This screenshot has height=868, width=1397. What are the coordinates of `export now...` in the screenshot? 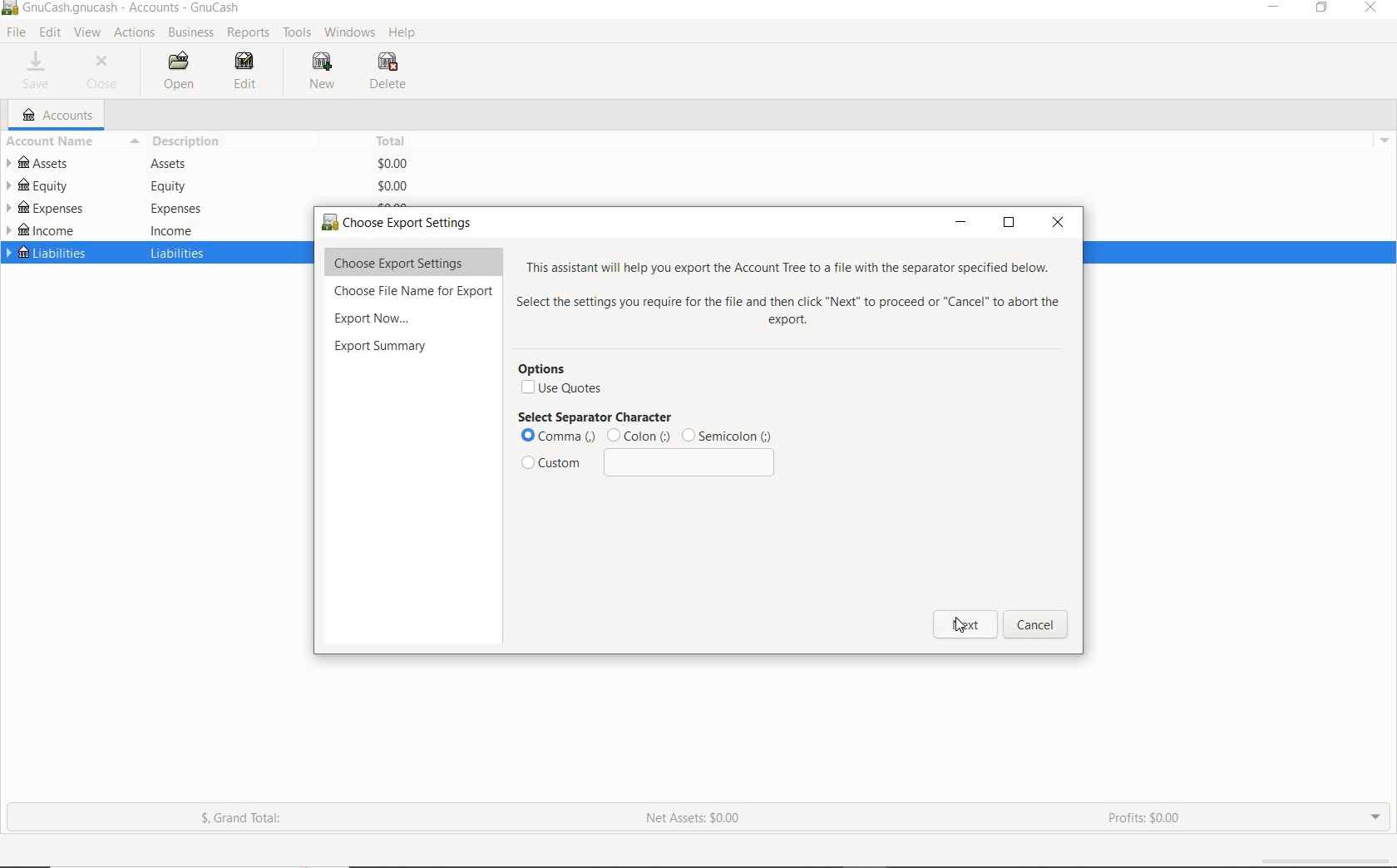 It's located at (377, 318).